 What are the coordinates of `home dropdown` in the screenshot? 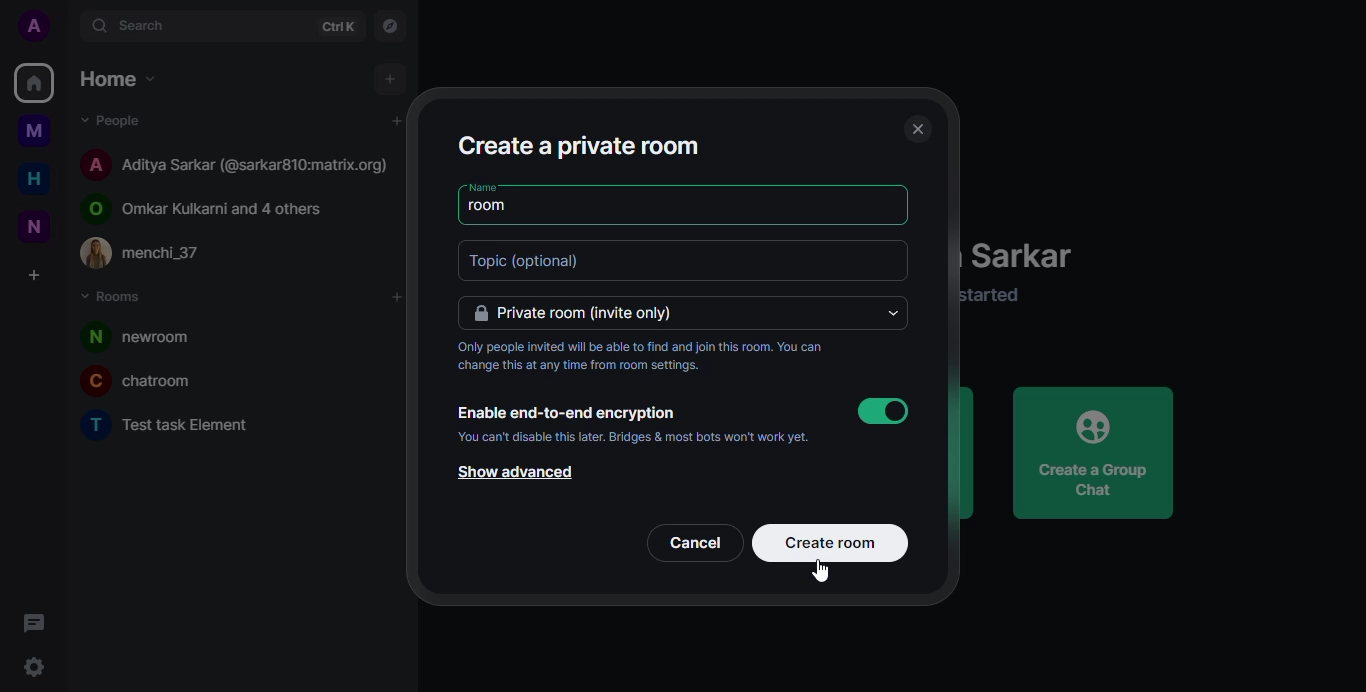 It's located at (125, 77).